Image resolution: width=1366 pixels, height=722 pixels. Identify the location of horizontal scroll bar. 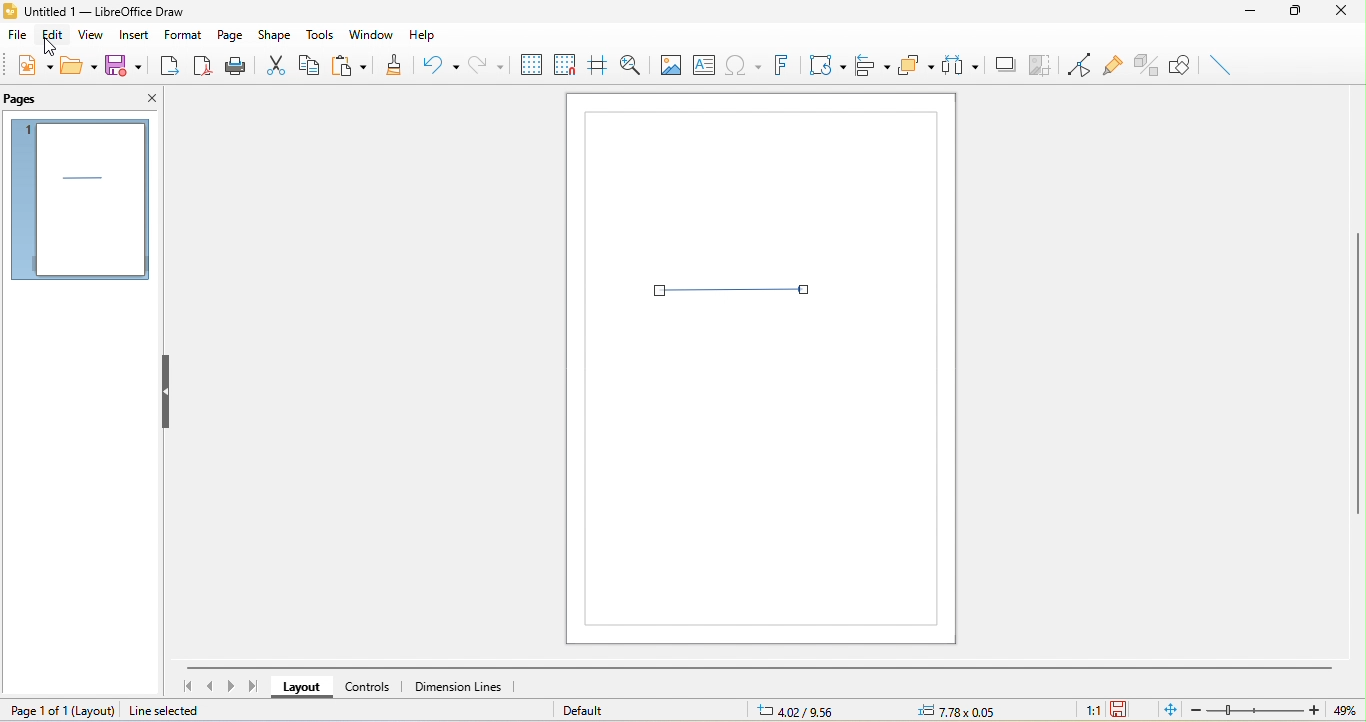
(759, 666).